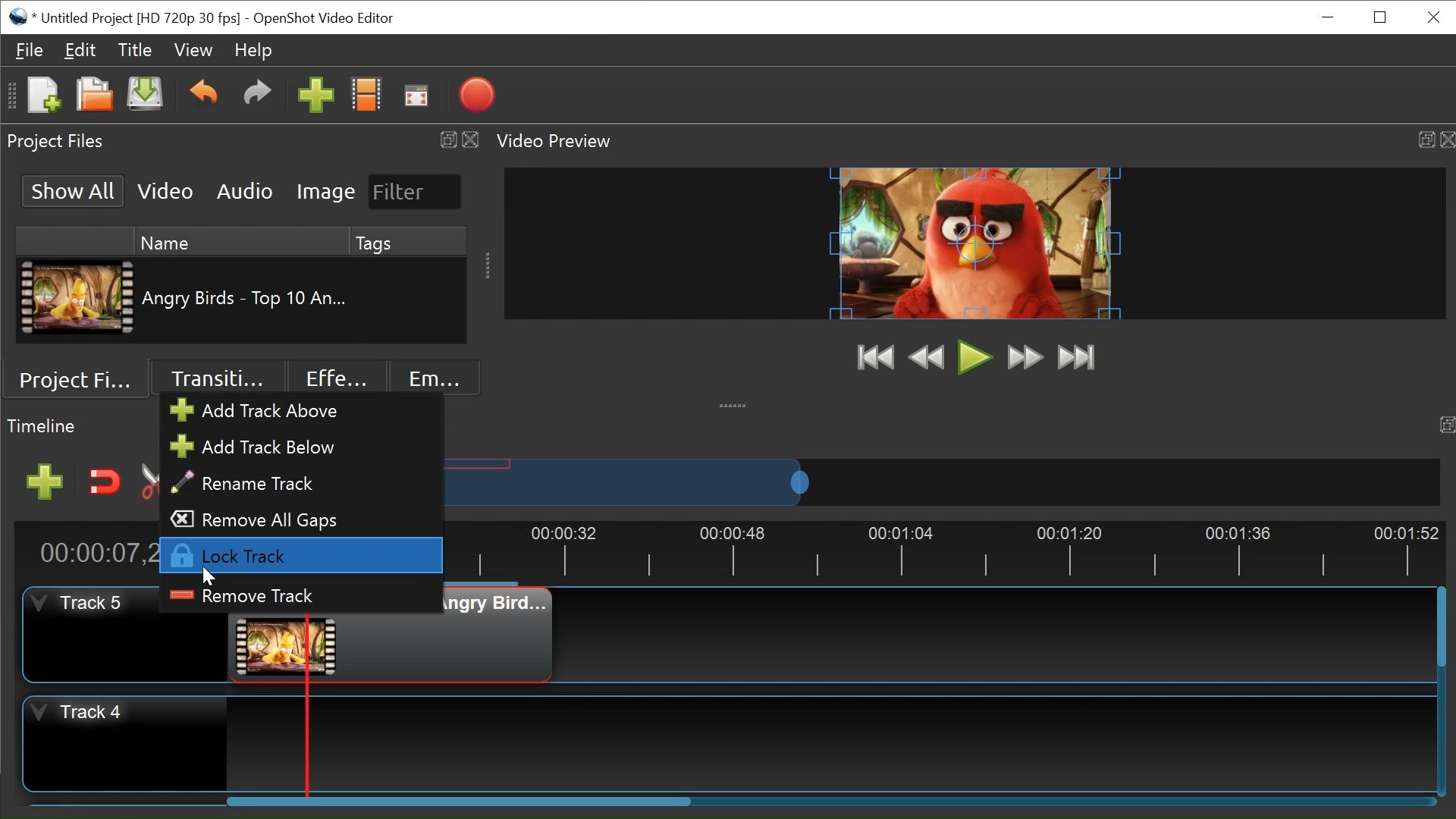  I want to click on Cursor, so click(212, 573).